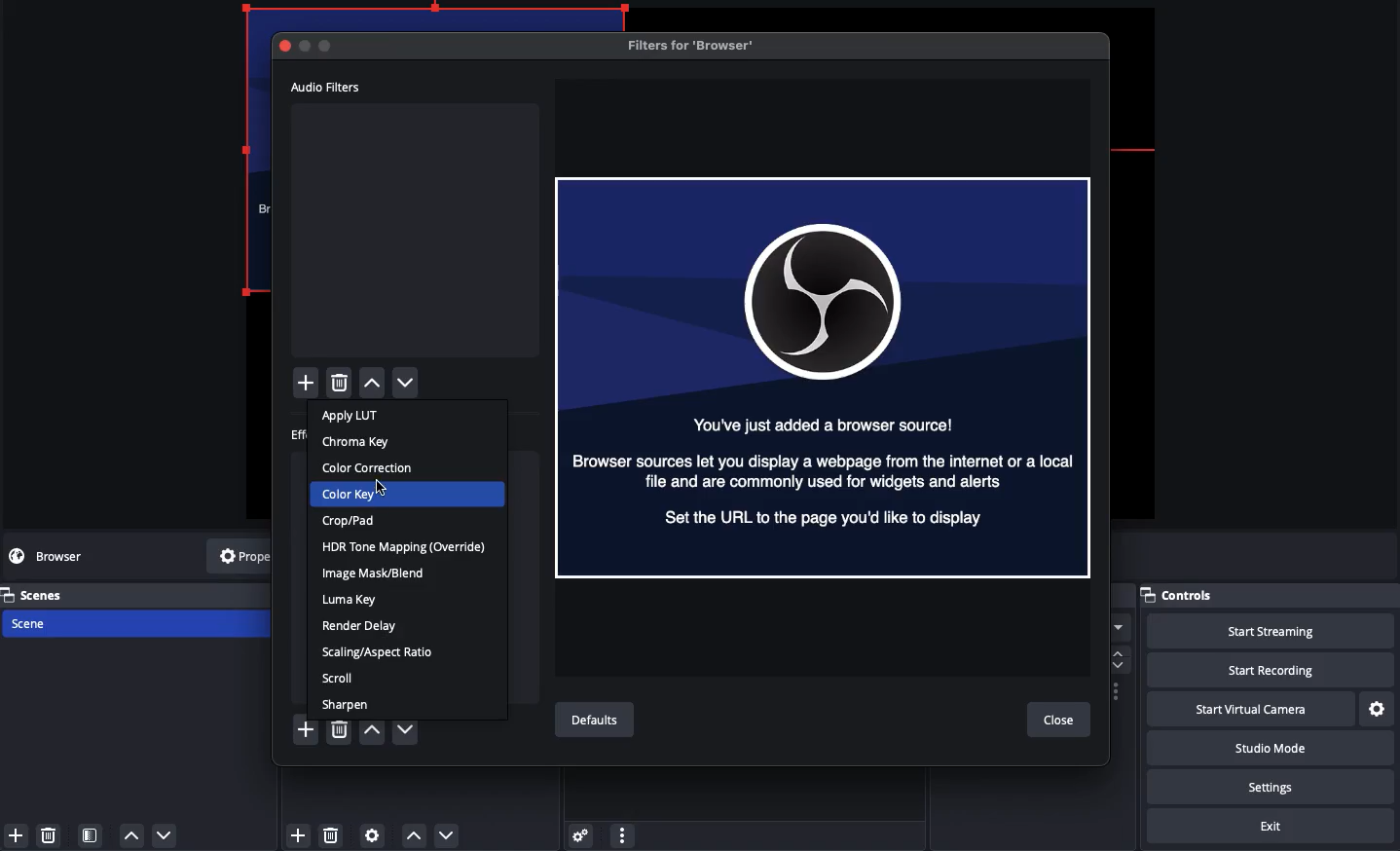 The width and height of the screenshot is (1400, 851). What do you see at coordinates (1268, 595) in the screenshot?
I see `Controls` at bounding box center [1268, 595].